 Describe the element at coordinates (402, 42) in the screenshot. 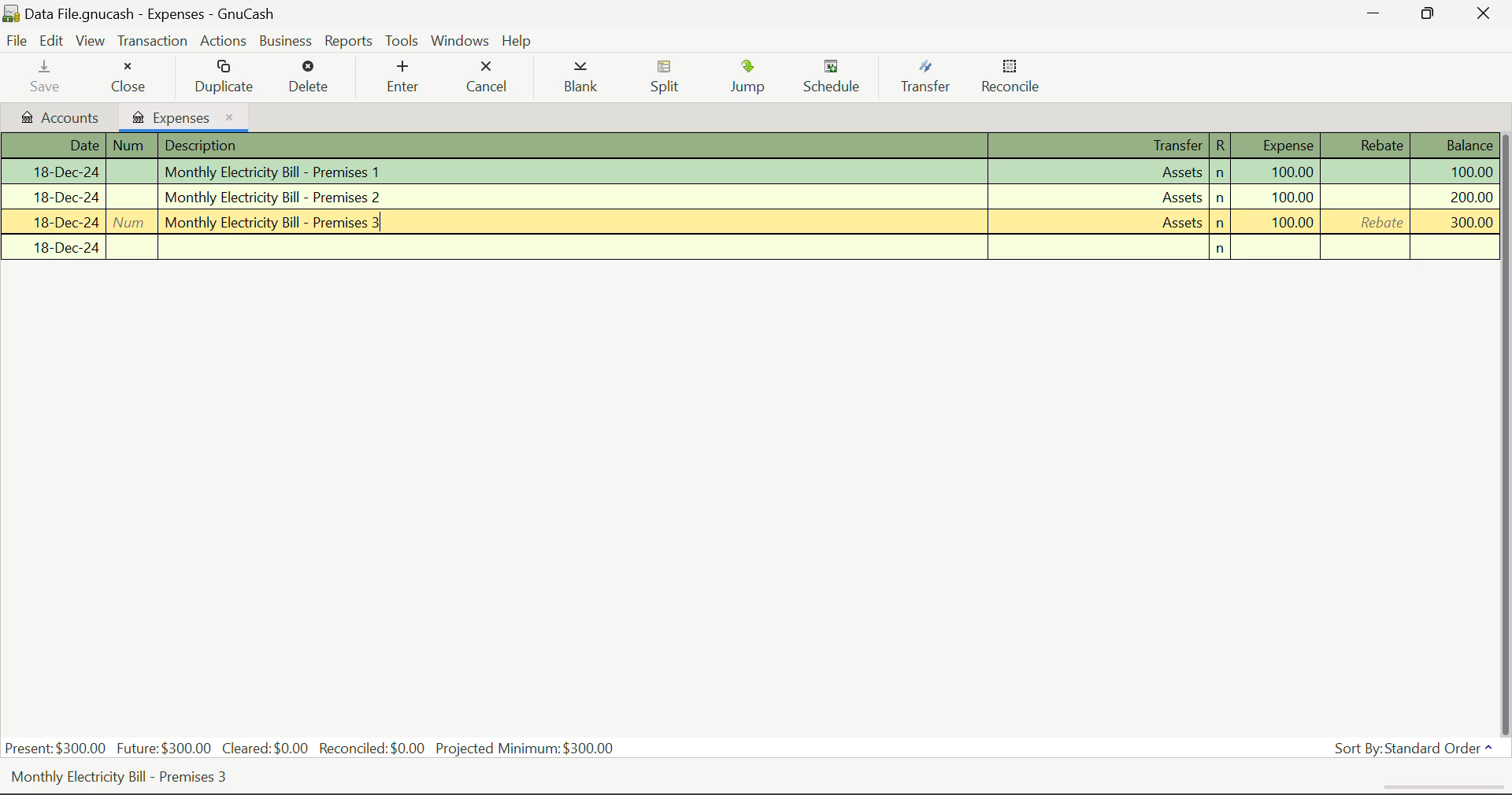

I see `Tools` at that location.